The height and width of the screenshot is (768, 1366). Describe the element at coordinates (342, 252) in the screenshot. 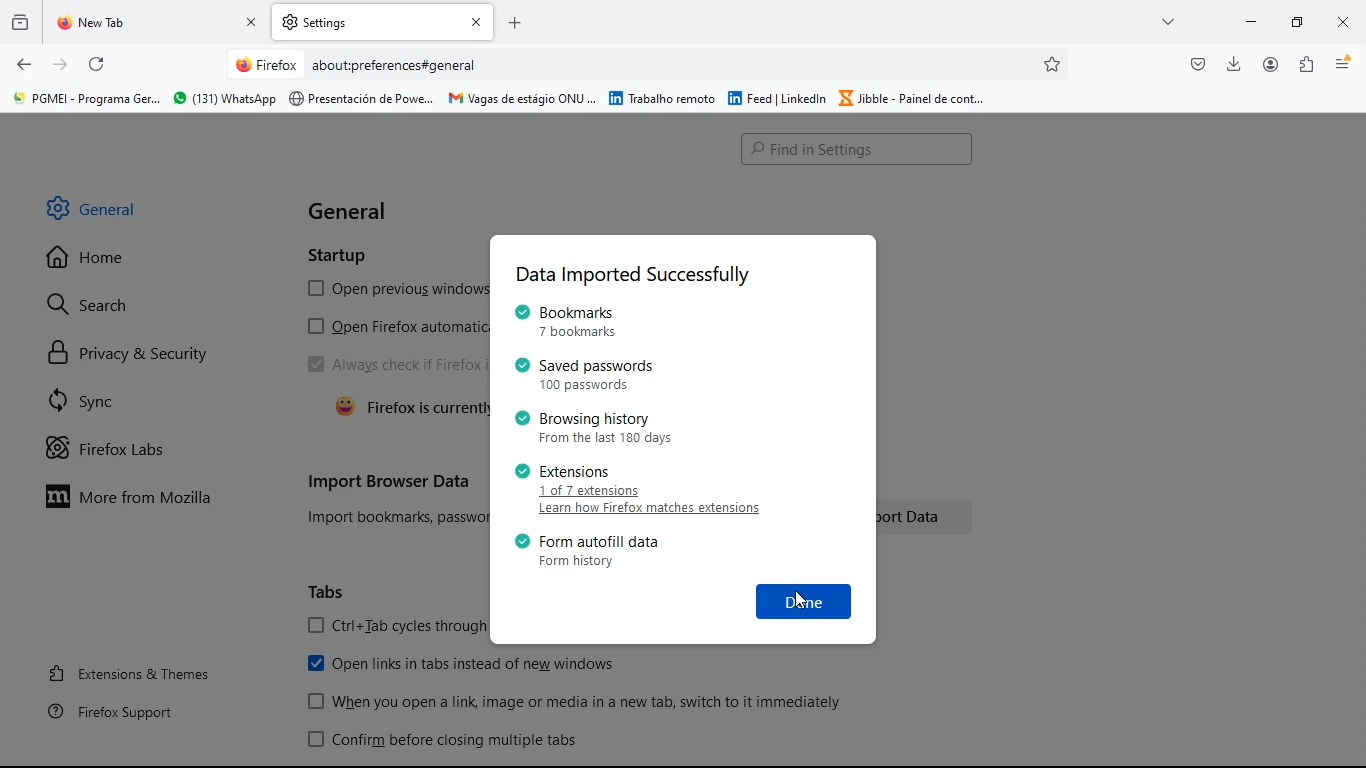

I see `startup` at that location.